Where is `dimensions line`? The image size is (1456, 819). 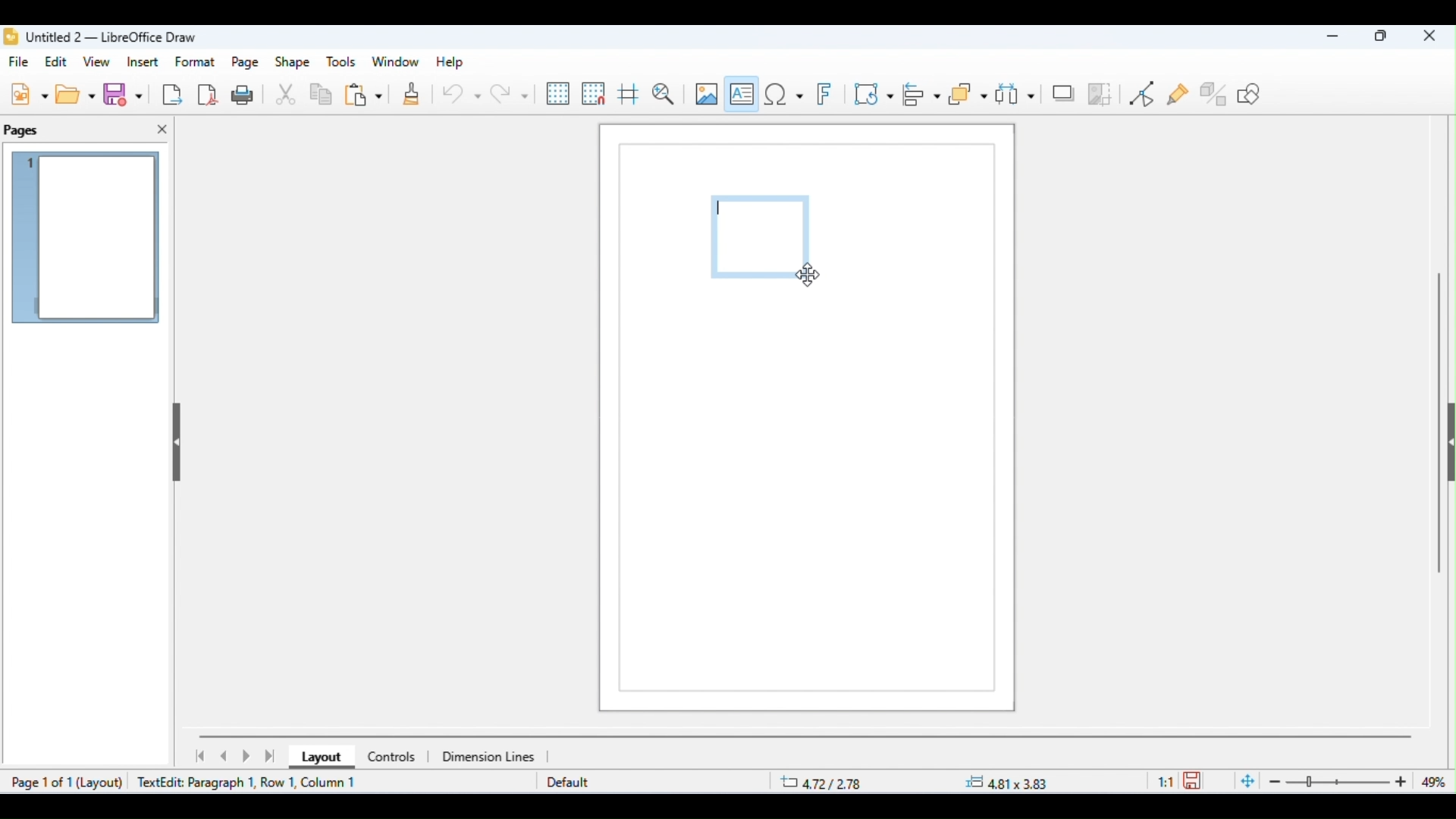 dimensions line is located at coordinates (491, 756).